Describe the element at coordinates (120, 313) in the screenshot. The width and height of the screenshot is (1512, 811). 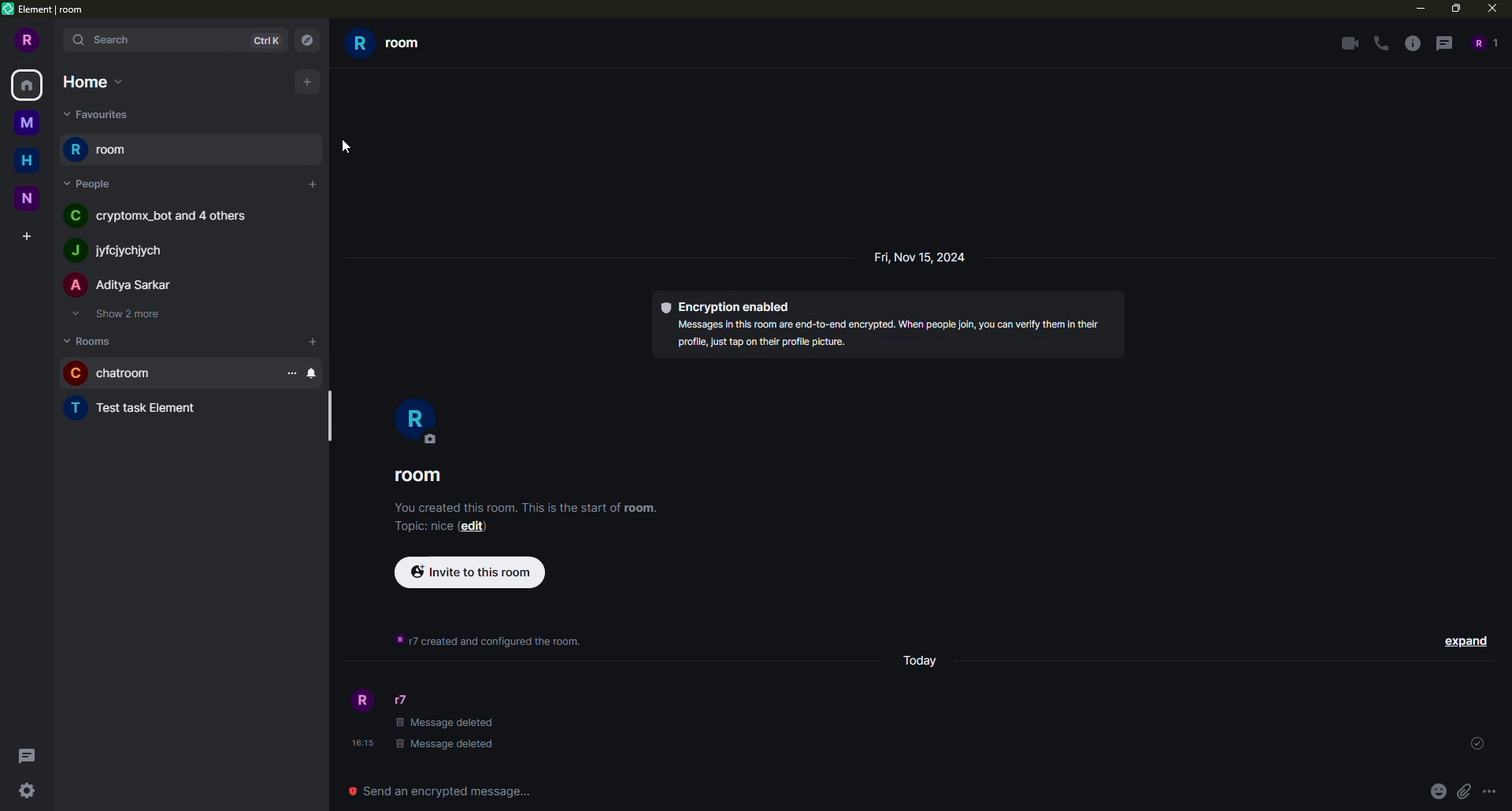
I see `show 2 more` at that location.